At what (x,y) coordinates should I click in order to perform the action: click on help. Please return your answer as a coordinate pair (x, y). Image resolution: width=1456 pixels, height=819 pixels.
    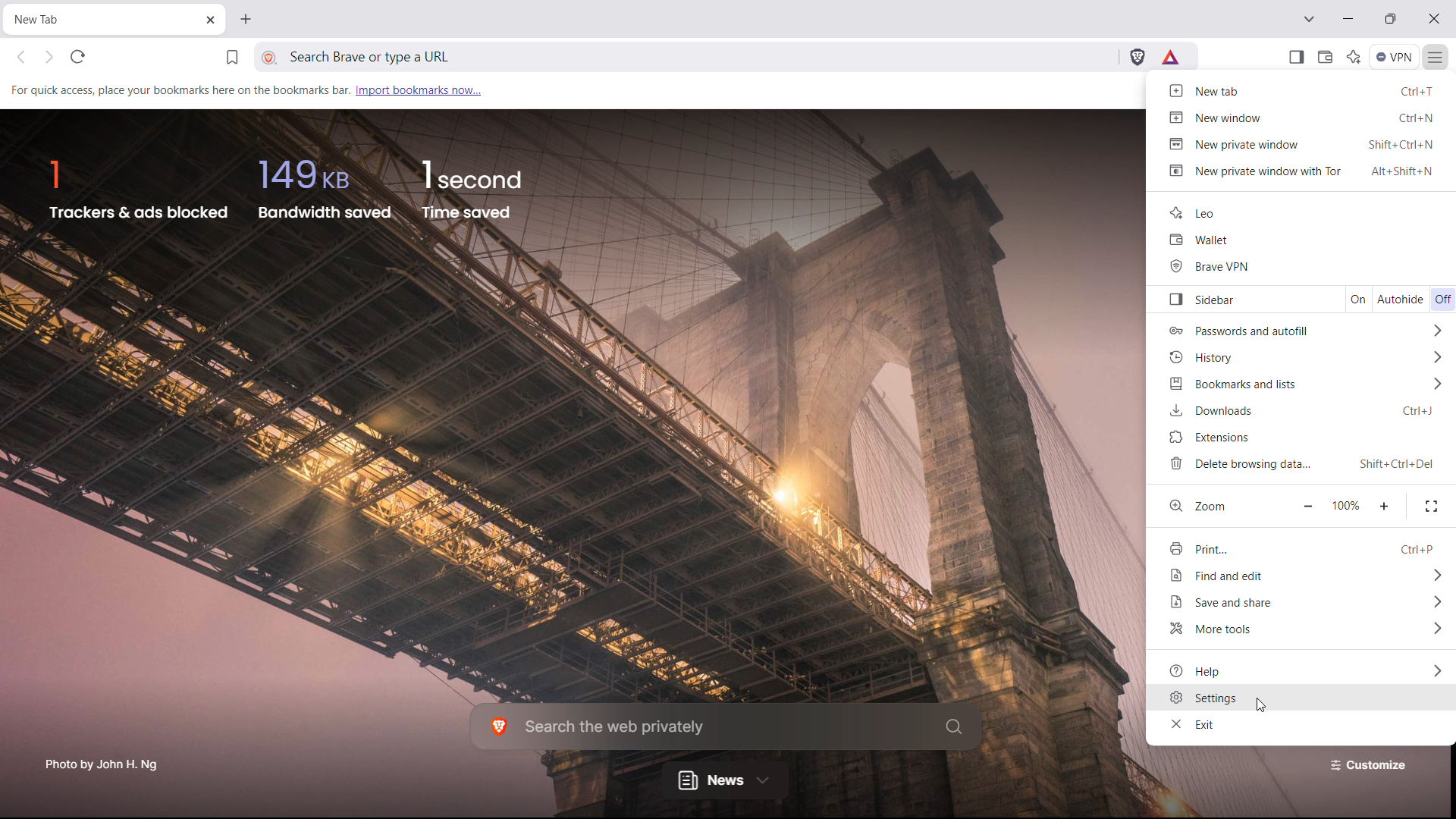
    Looking at the image, I should click on (1300, 669).